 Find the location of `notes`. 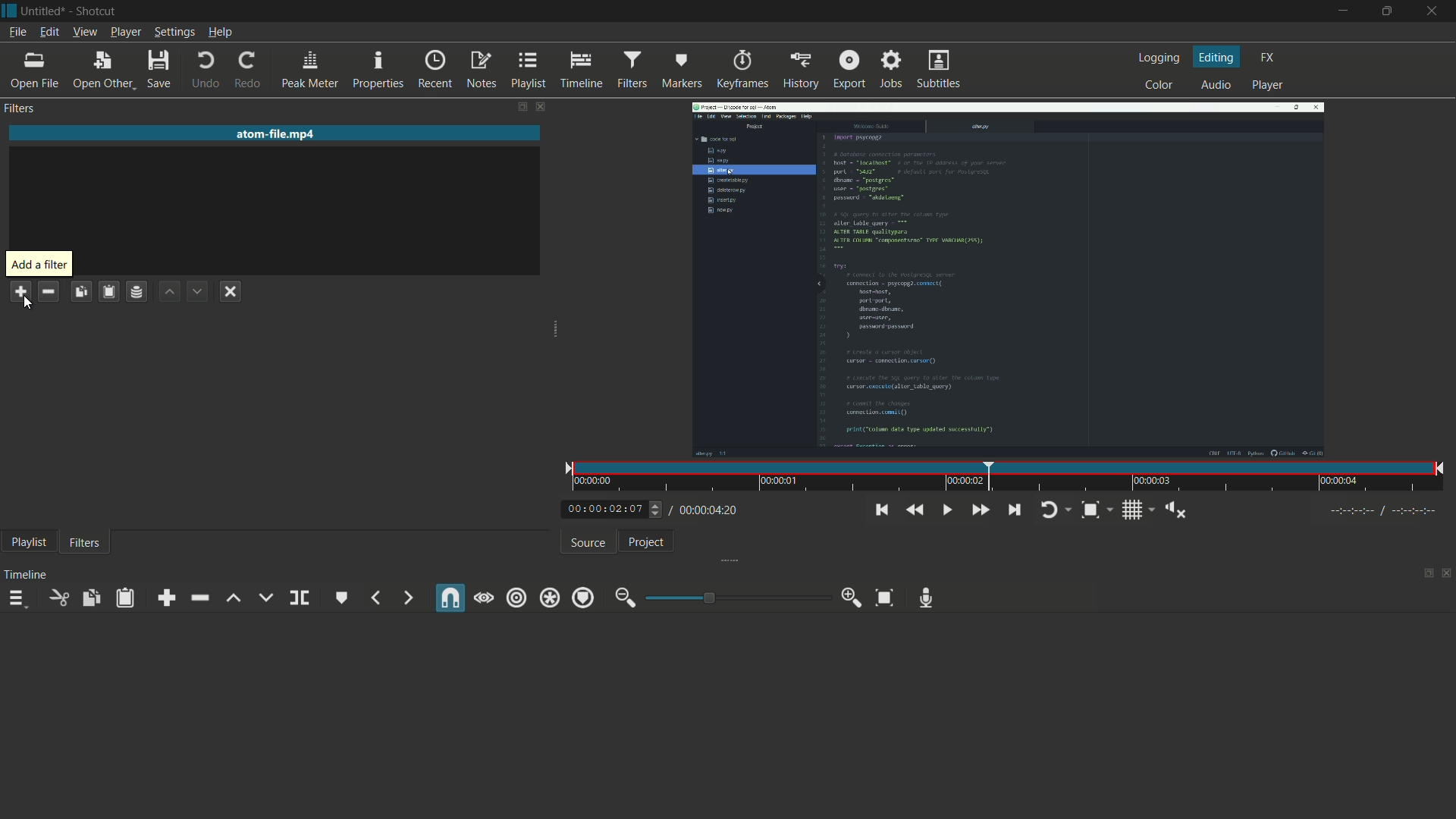

notes is located at coordinates (480, 71).